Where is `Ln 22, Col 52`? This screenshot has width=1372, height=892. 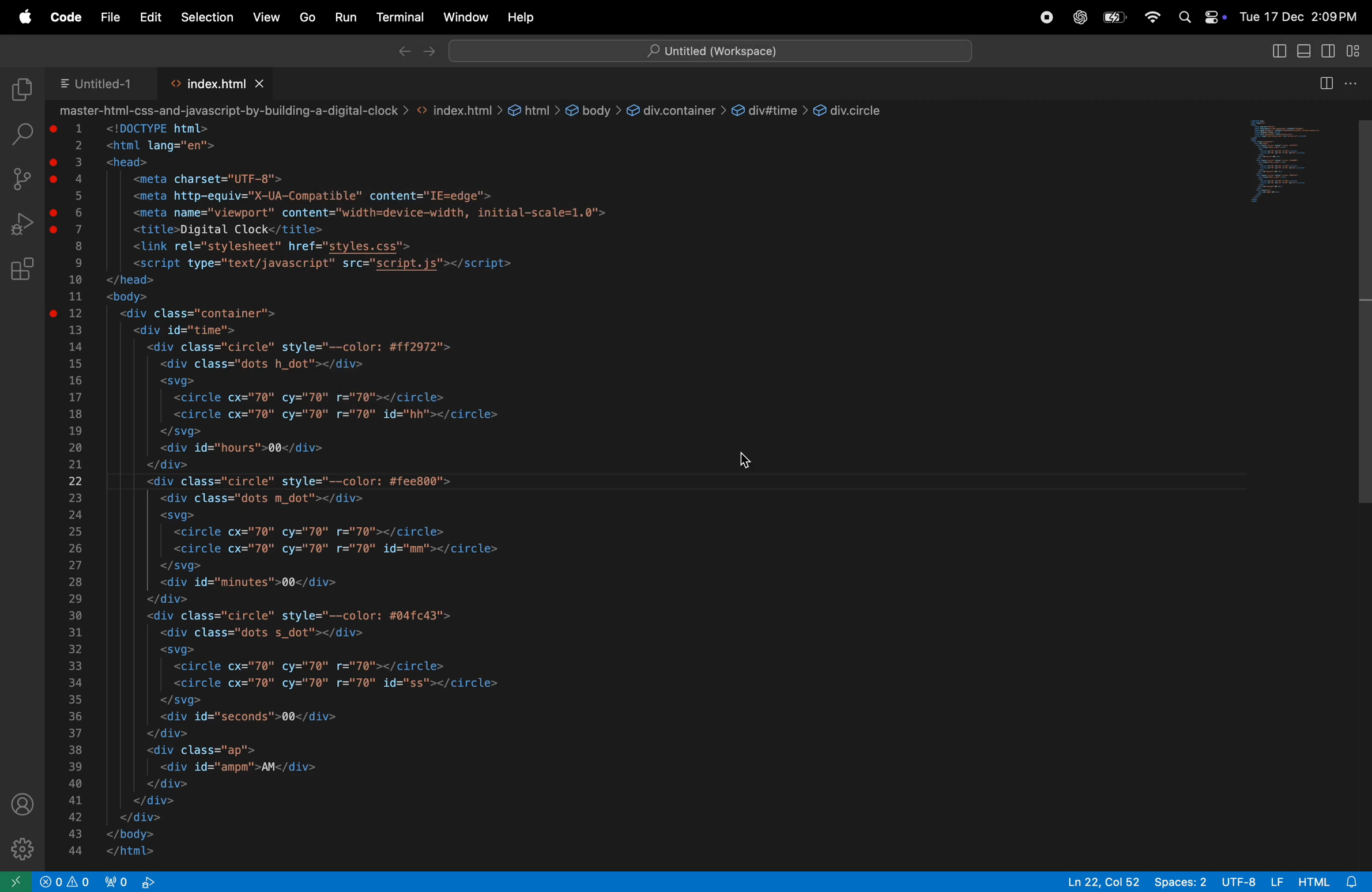
Ln 22, Col 52 is located at coordinates (1099, 880).